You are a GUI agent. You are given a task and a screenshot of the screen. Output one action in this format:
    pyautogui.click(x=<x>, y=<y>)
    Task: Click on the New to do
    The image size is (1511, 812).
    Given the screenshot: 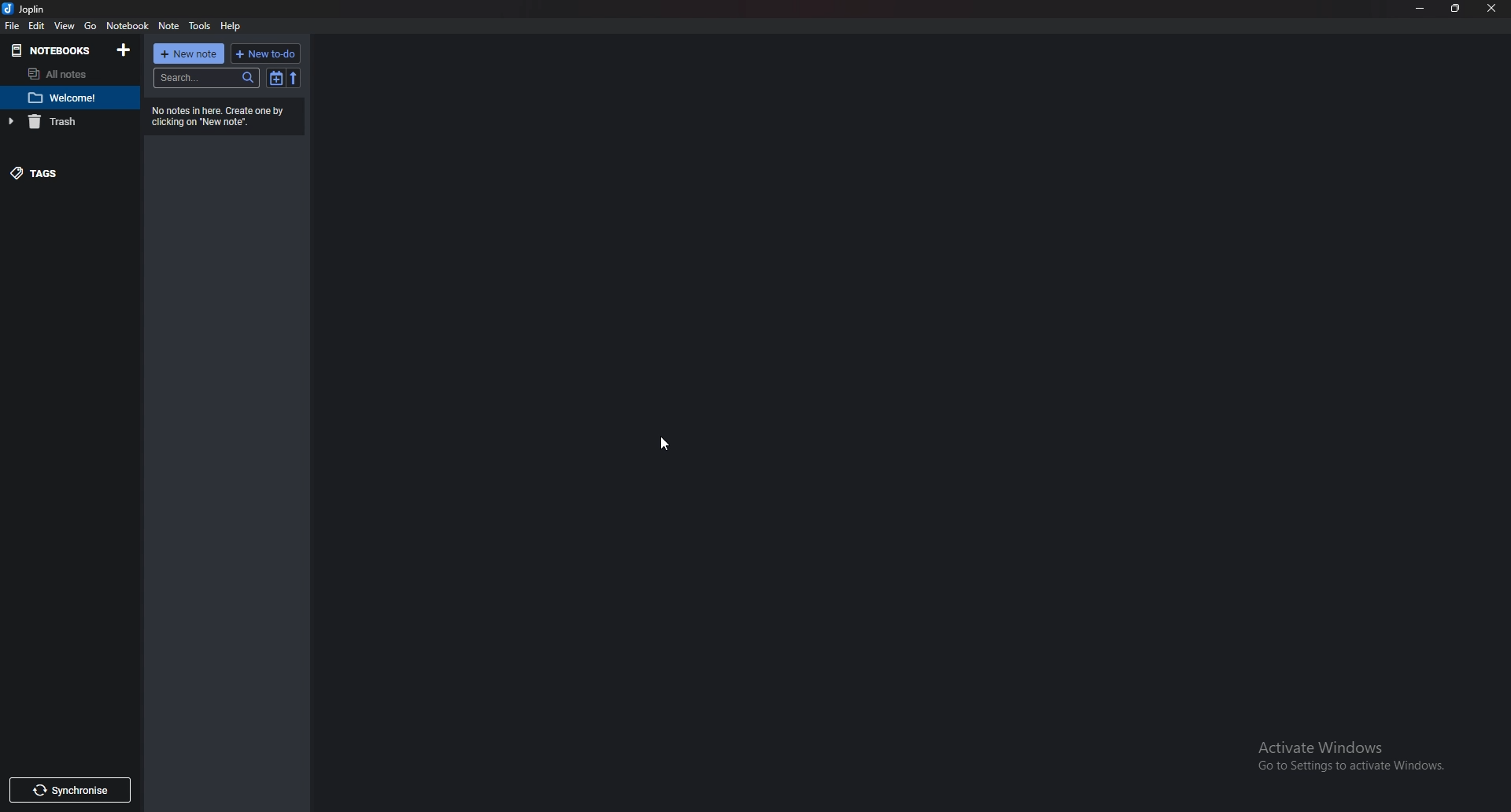 What is the action you would take?
    pyautogui.click(x=265, y=54)
    